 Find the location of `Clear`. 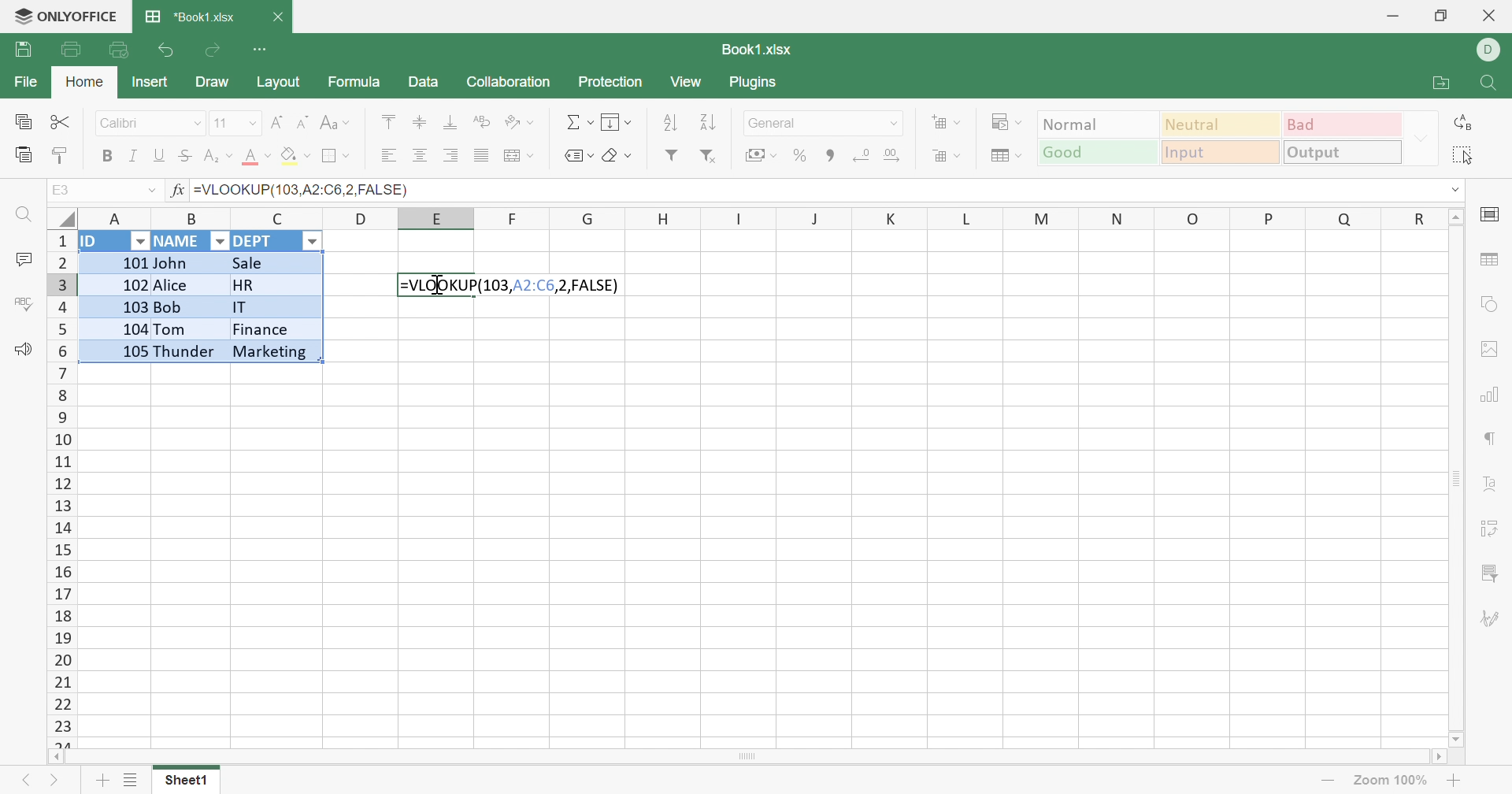

Clear is located at coordinates (617, 155).